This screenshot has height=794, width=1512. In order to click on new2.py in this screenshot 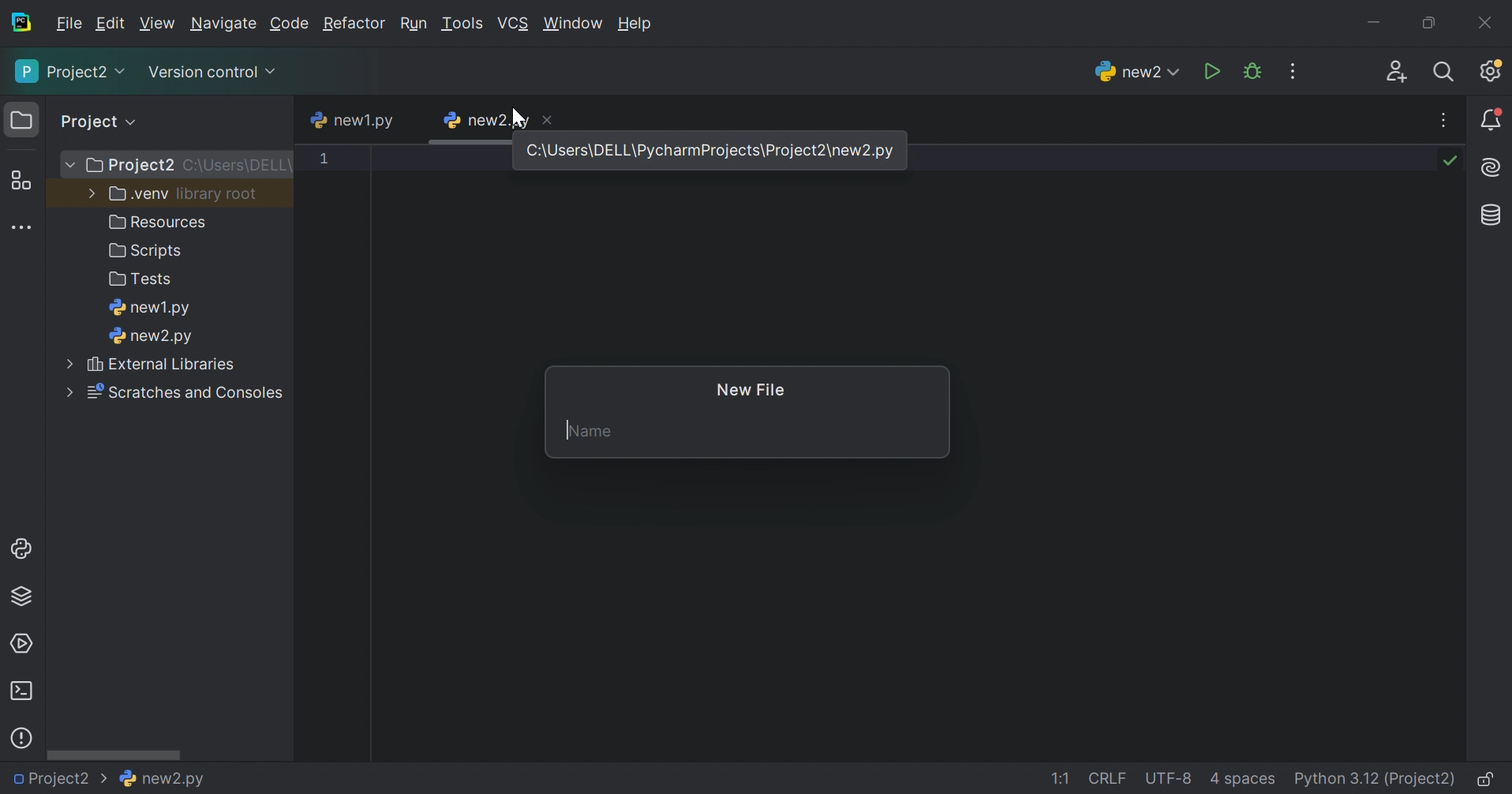, I will do `click(484, 120)`.